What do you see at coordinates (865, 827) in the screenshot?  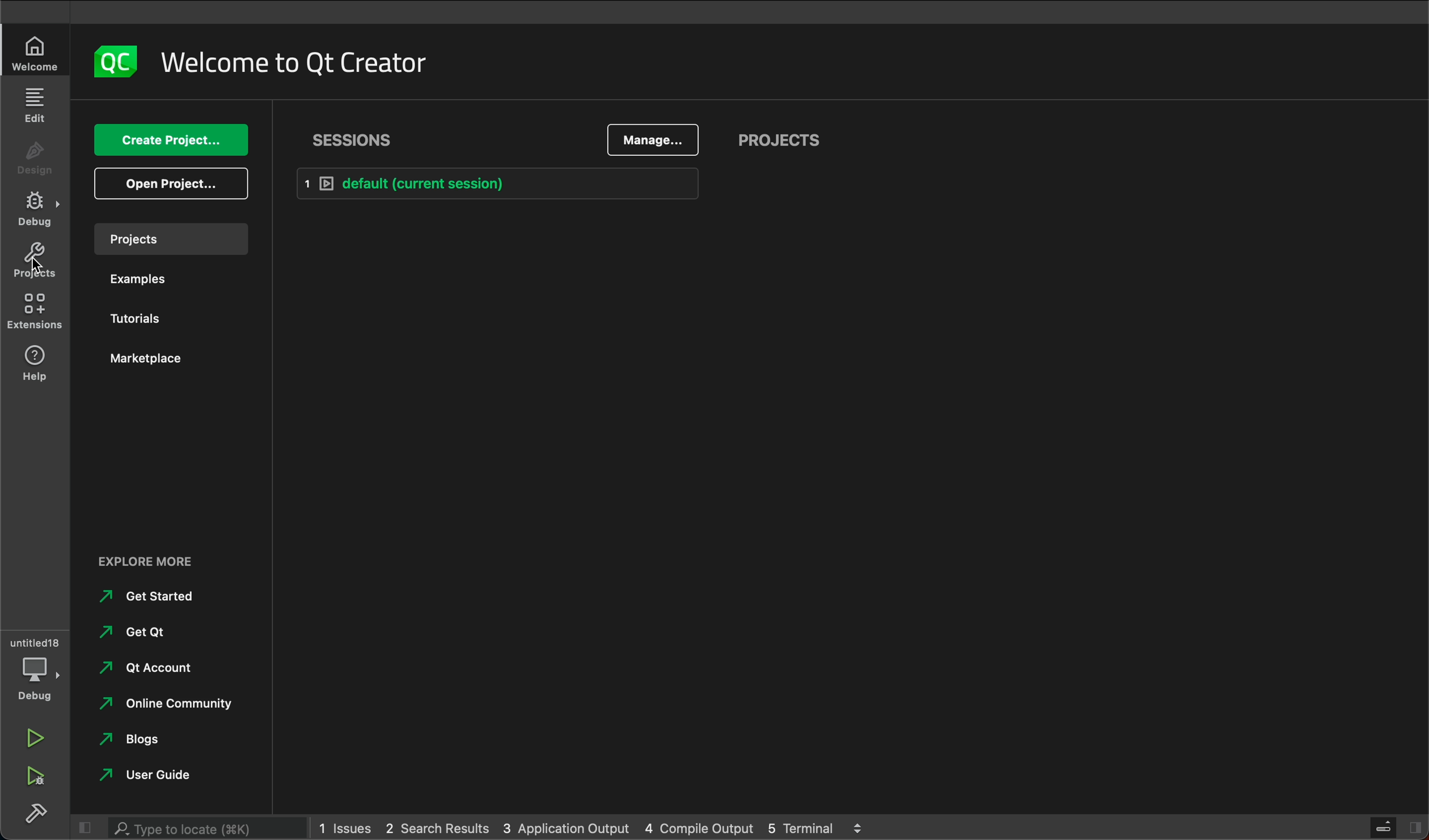 I see `logs          ` at bounding box center [865, 827].